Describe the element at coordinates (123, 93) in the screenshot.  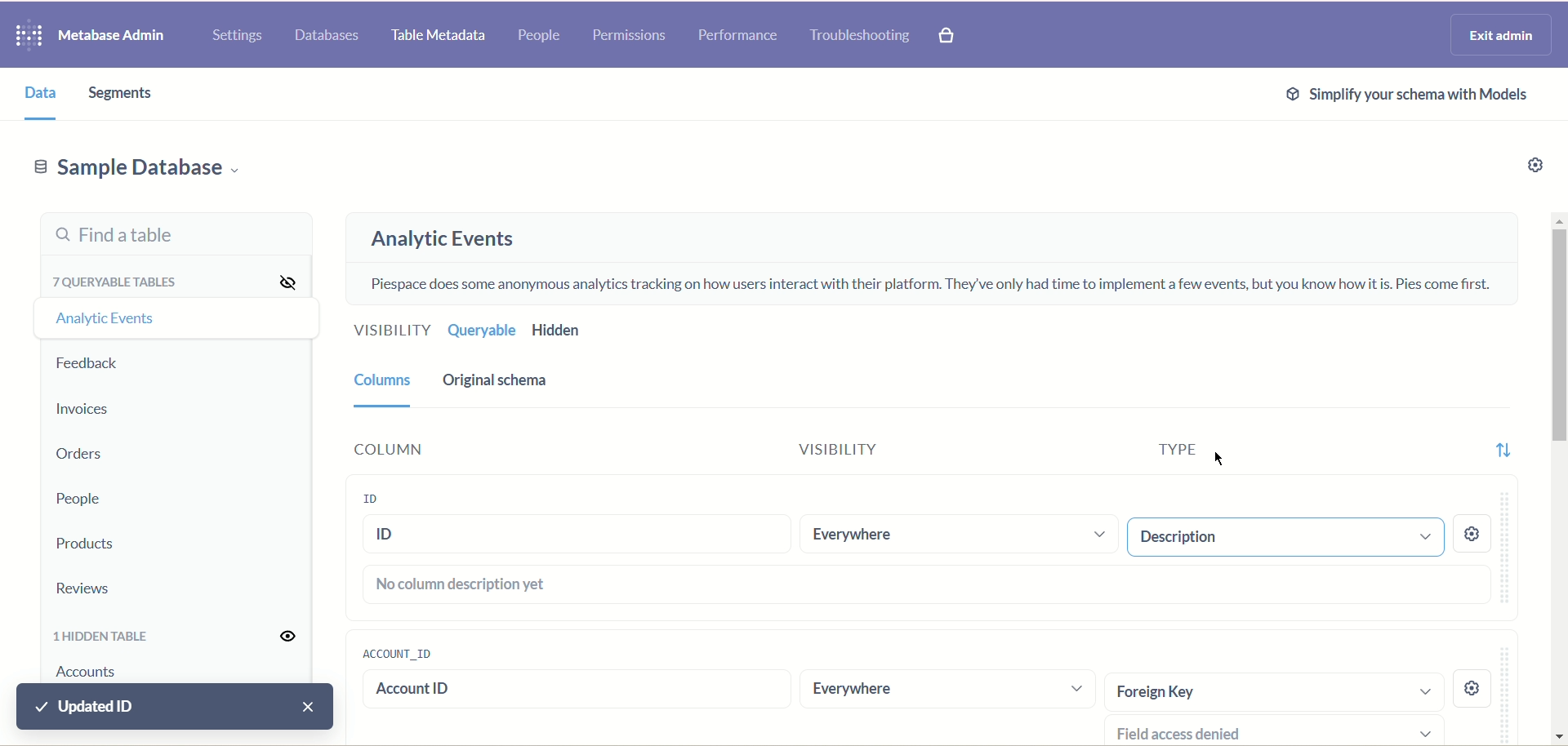
I see `segments` at that location.